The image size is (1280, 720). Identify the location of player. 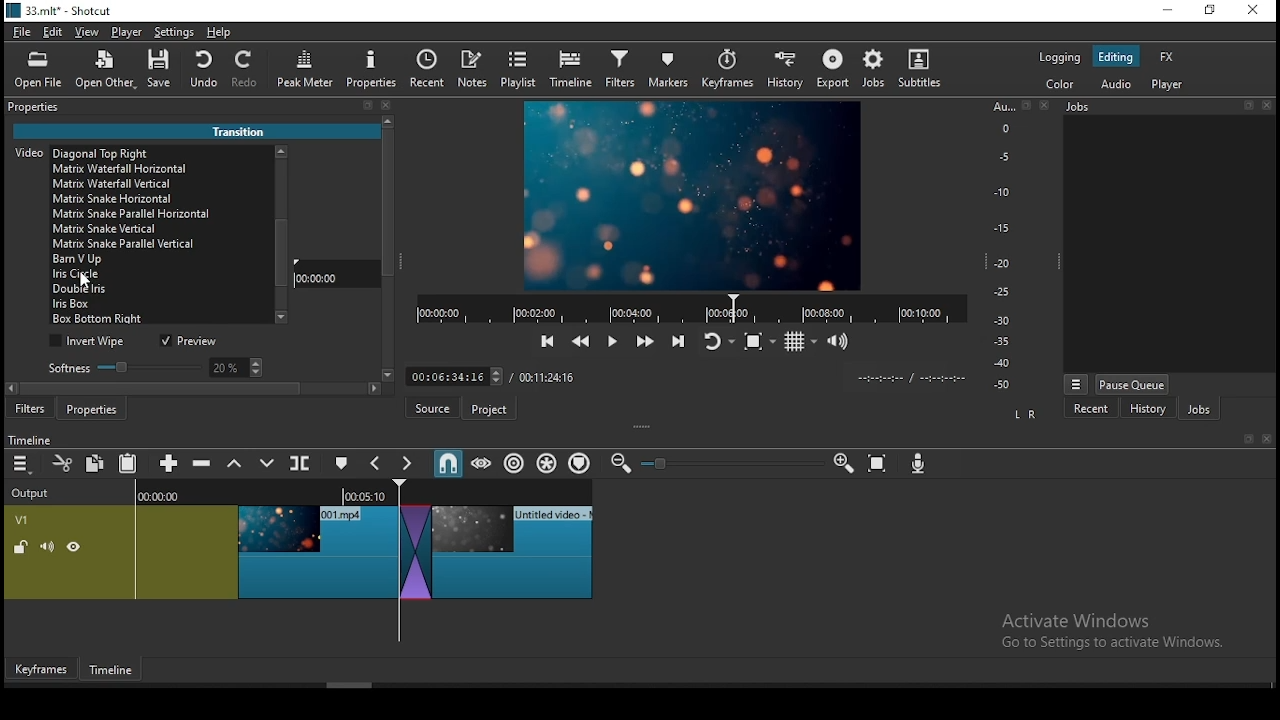
(127, 33).